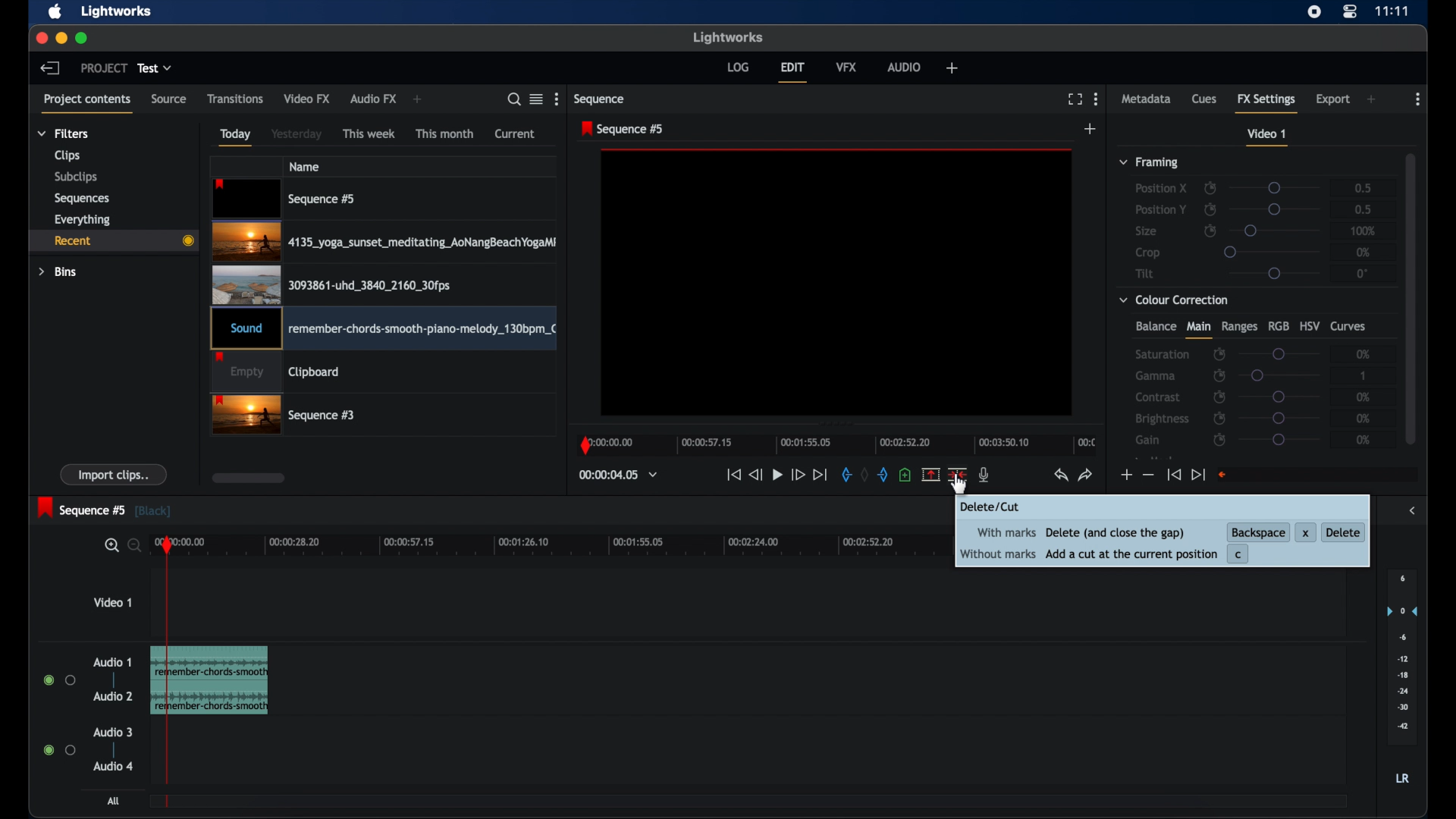 This screenshot has height=819, width=1456. I want to click on crop, so click(1148, 253).